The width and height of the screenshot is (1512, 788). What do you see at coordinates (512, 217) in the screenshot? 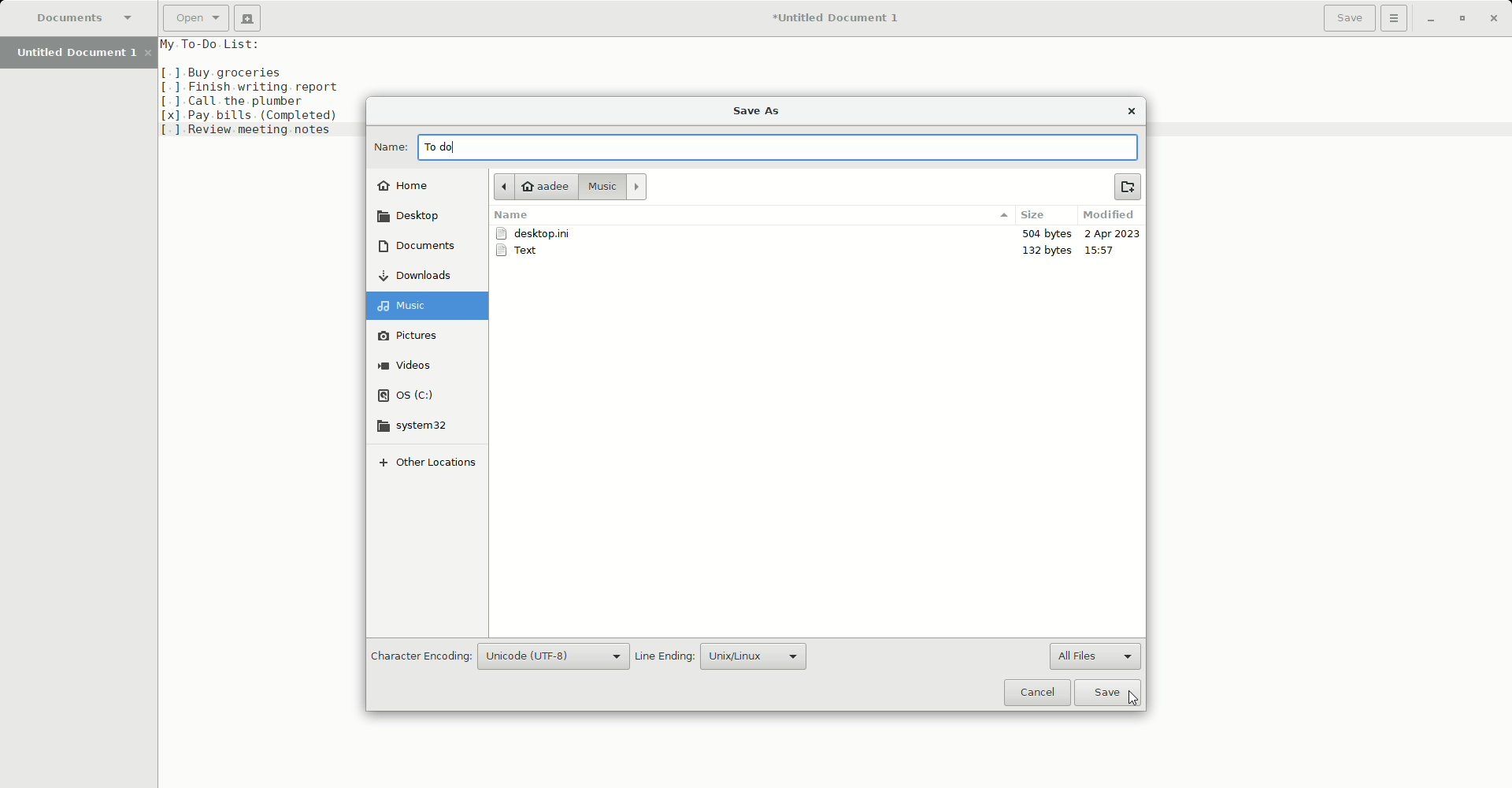
I see `Name` at bounding box center [512, 217].